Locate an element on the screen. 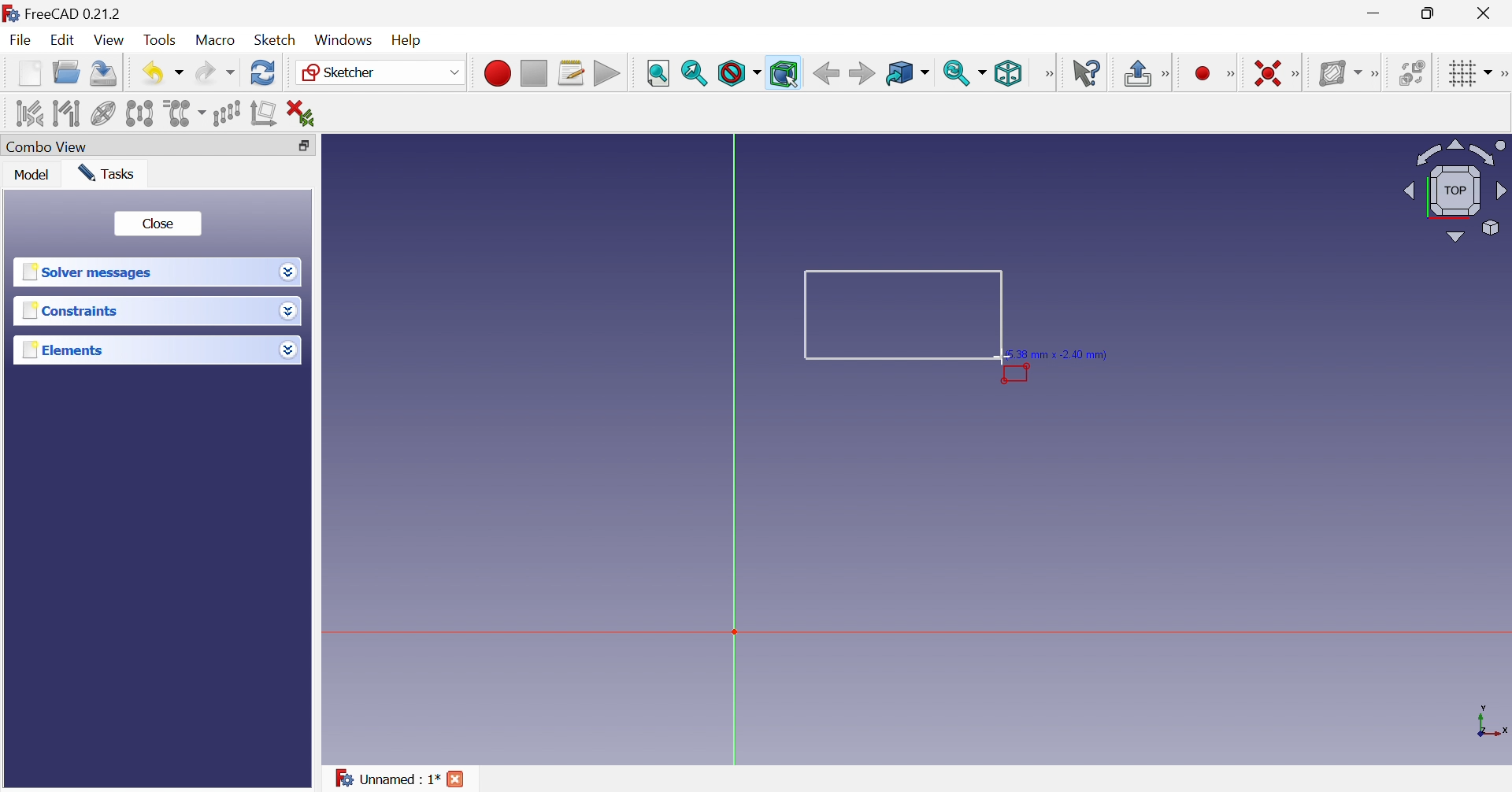  Show/hide B-spline information layer is located at coordinates (1339, 73).